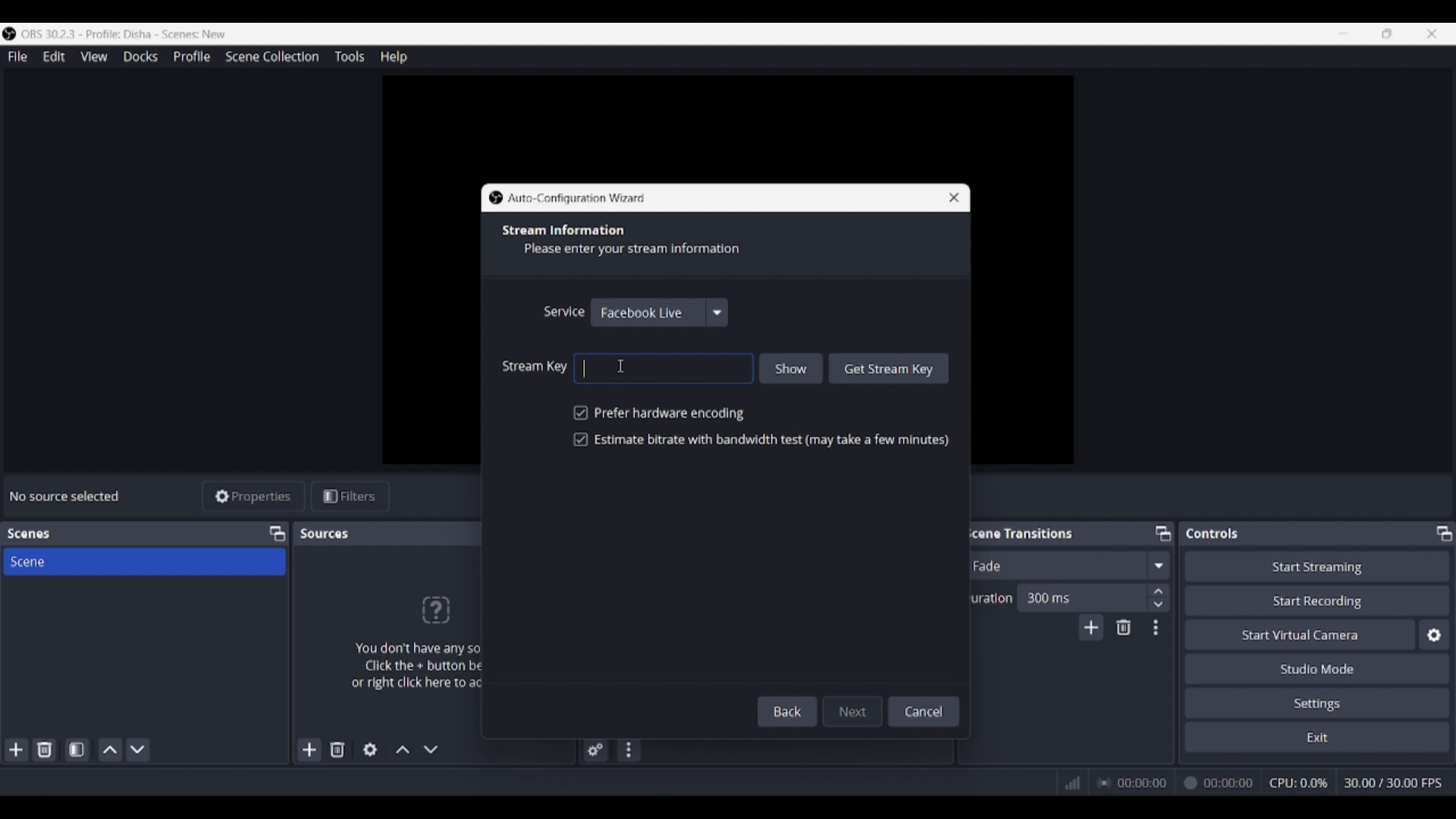 The width and height of the screenshot is (1456, 819). What do you see at coordinates (792, 368) in the screenshot?
I see `Show input made` at bounding box center [792, 368].